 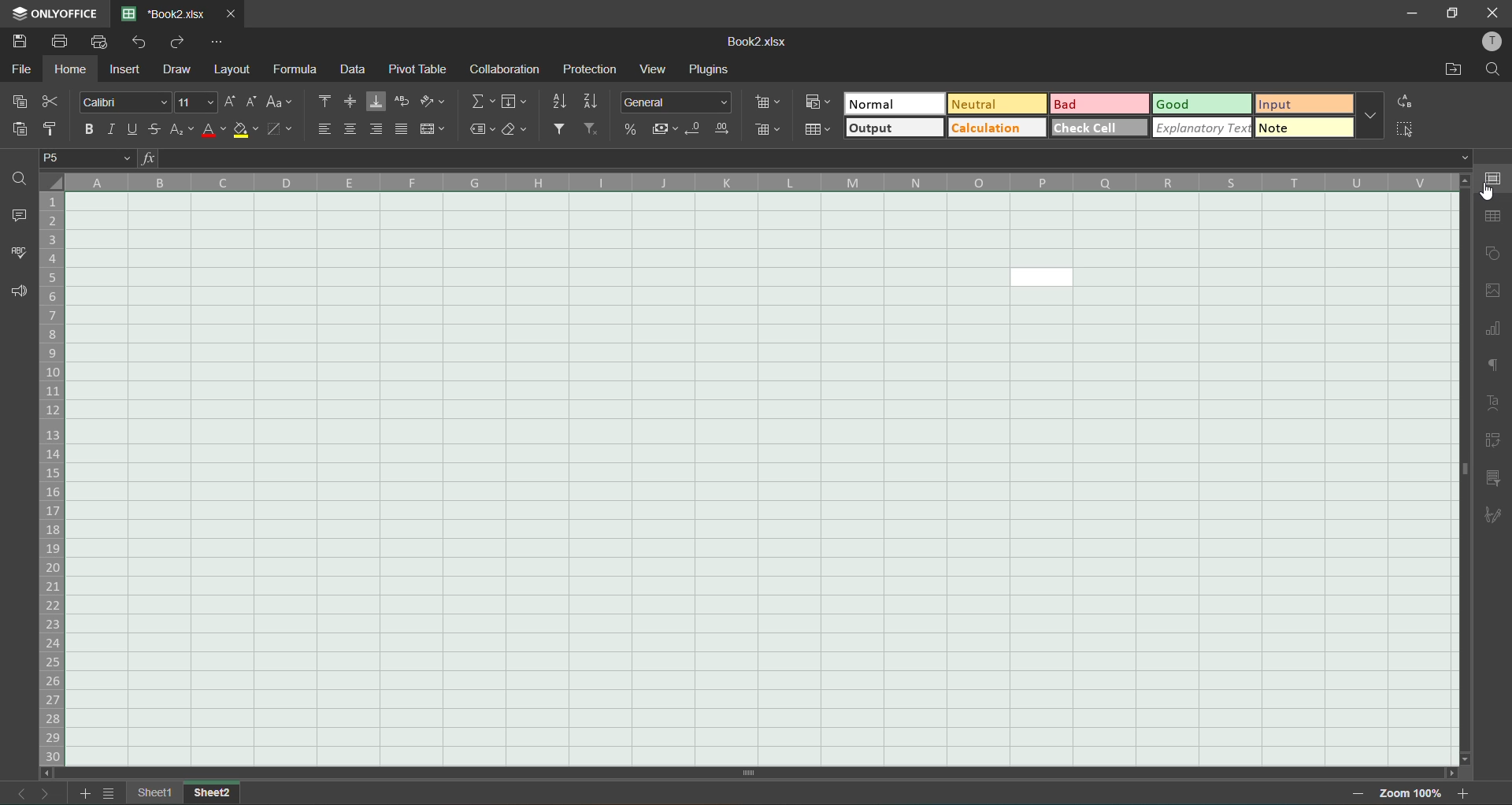 What do you see at coordinates (1199, 127) in the screenshot?
I see `explanatoy text` at bounding box center [1199, 127].